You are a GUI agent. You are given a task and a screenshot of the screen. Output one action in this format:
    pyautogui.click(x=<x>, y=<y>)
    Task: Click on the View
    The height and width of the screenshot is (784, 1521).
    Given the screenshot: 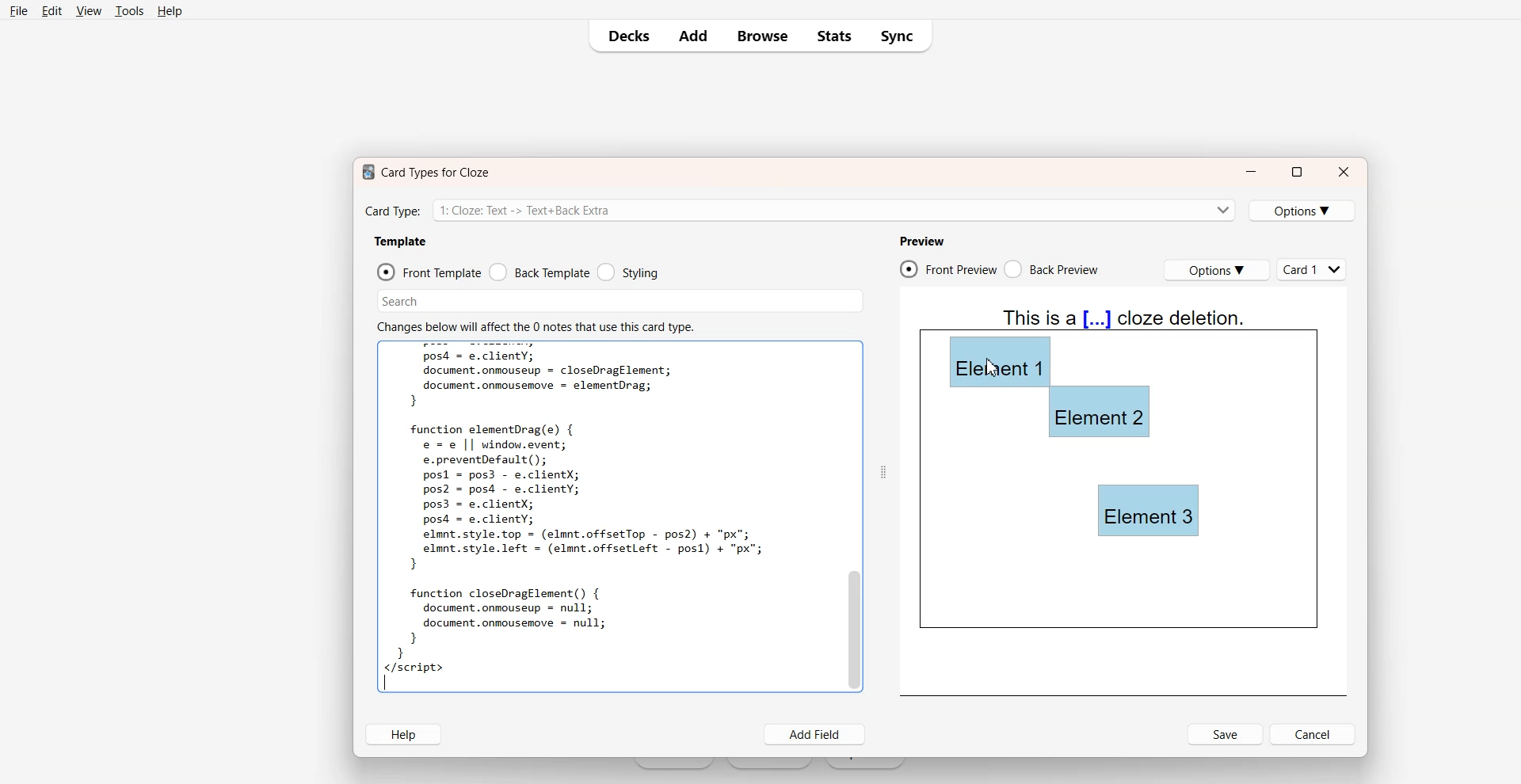 What is the action you would take?
    pyautogui.click(x=88, y=10)
    